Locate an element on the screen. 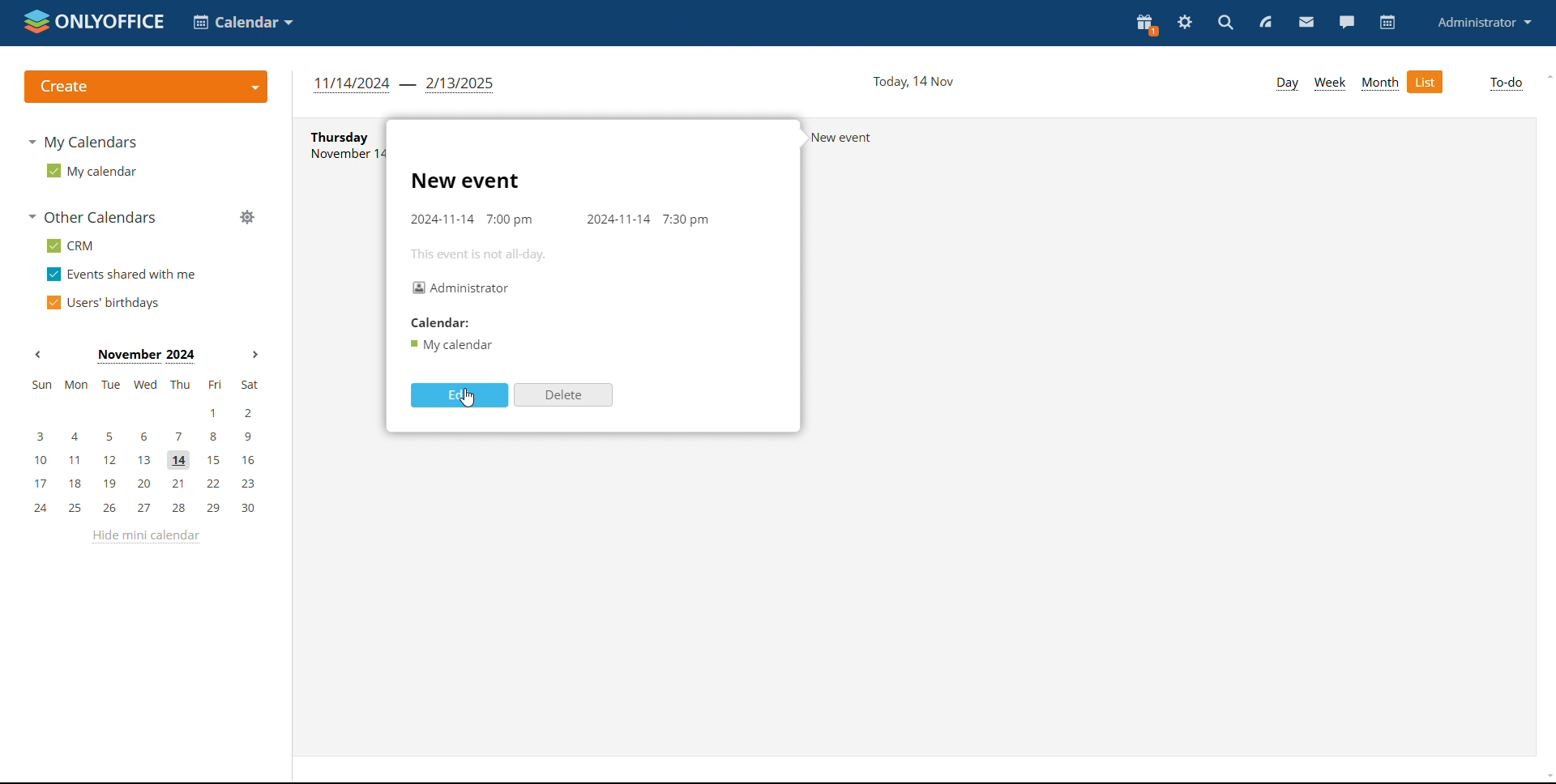 This screenshot has height=784, width=1556. current month is located at coordinates (144, 356).